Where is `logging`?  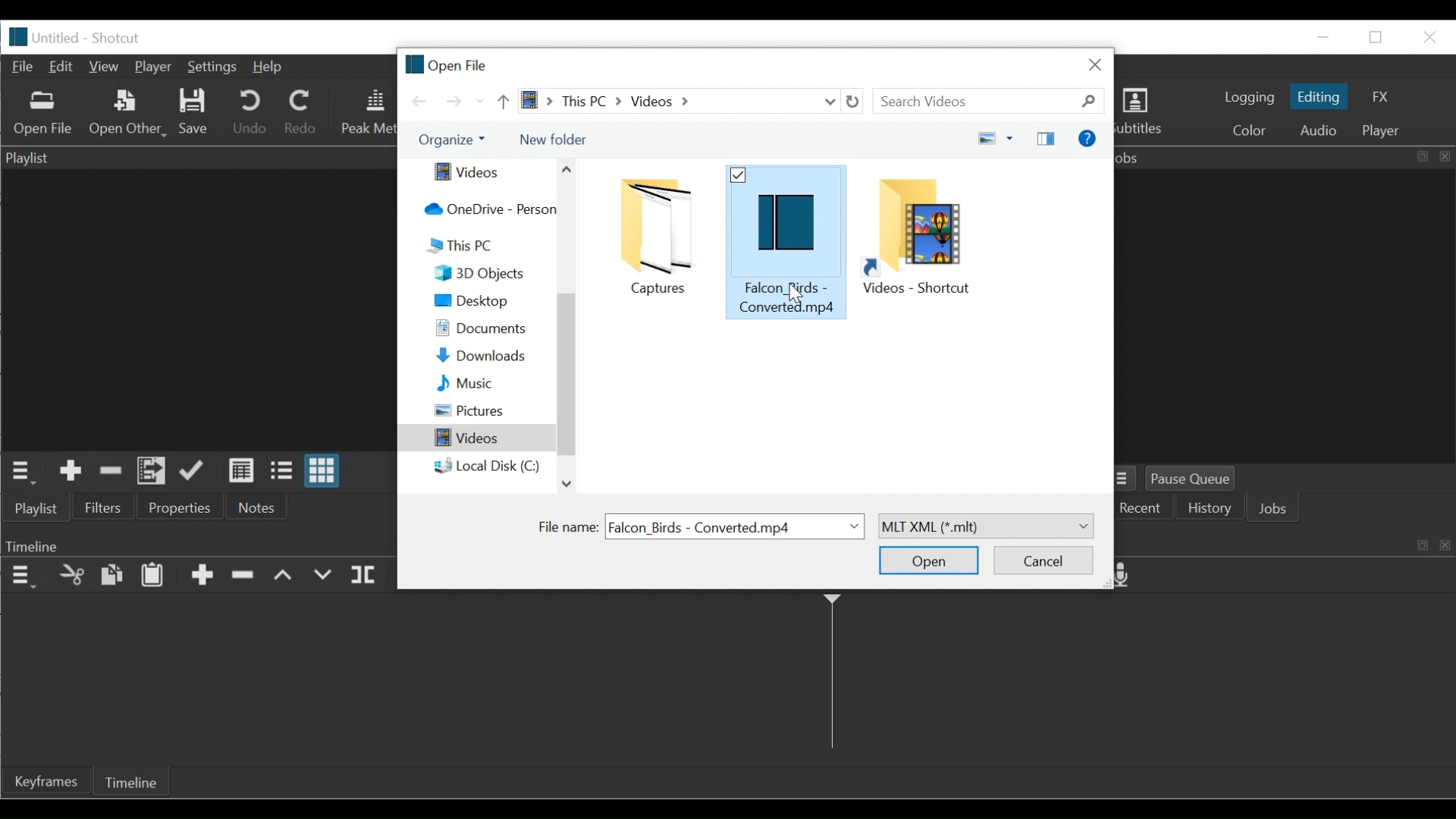 logging is located at coordinates (1247, 99).